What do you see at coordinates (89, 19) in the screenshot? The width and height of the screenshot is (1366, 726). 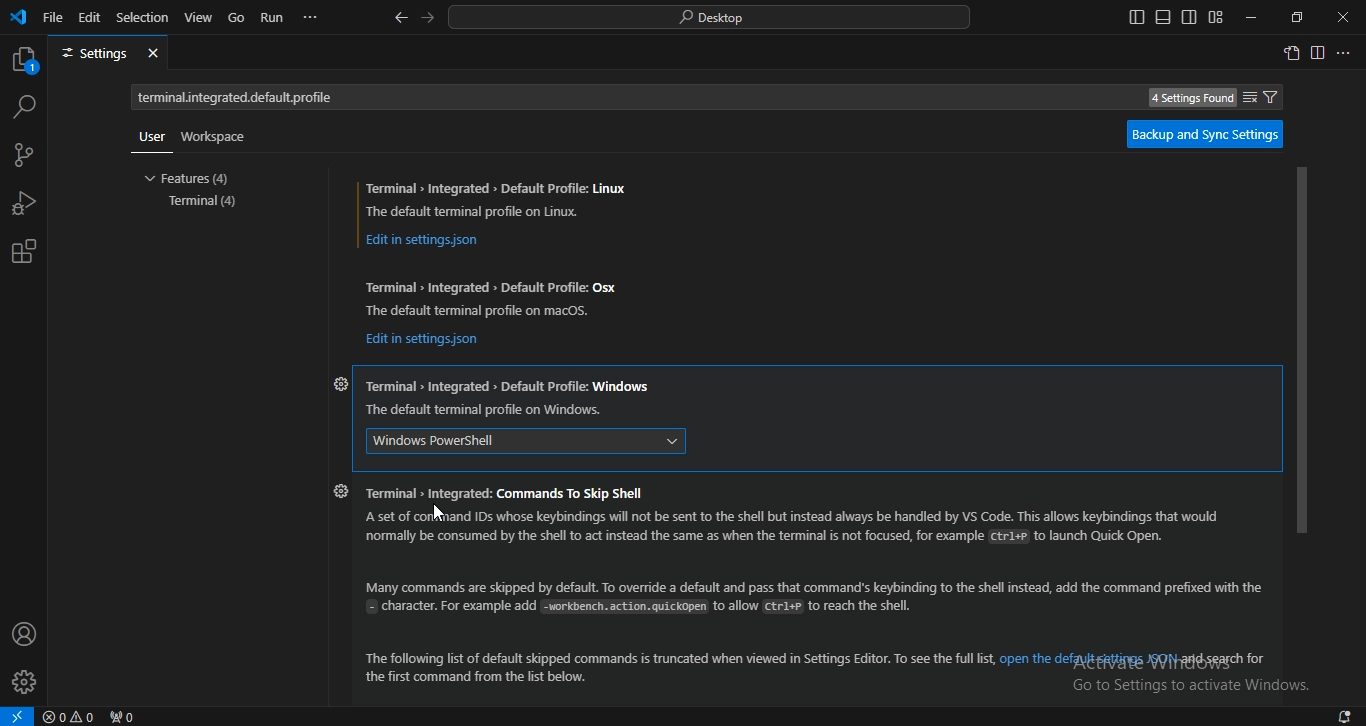 I see `edit` at bounding box center [89, 19].